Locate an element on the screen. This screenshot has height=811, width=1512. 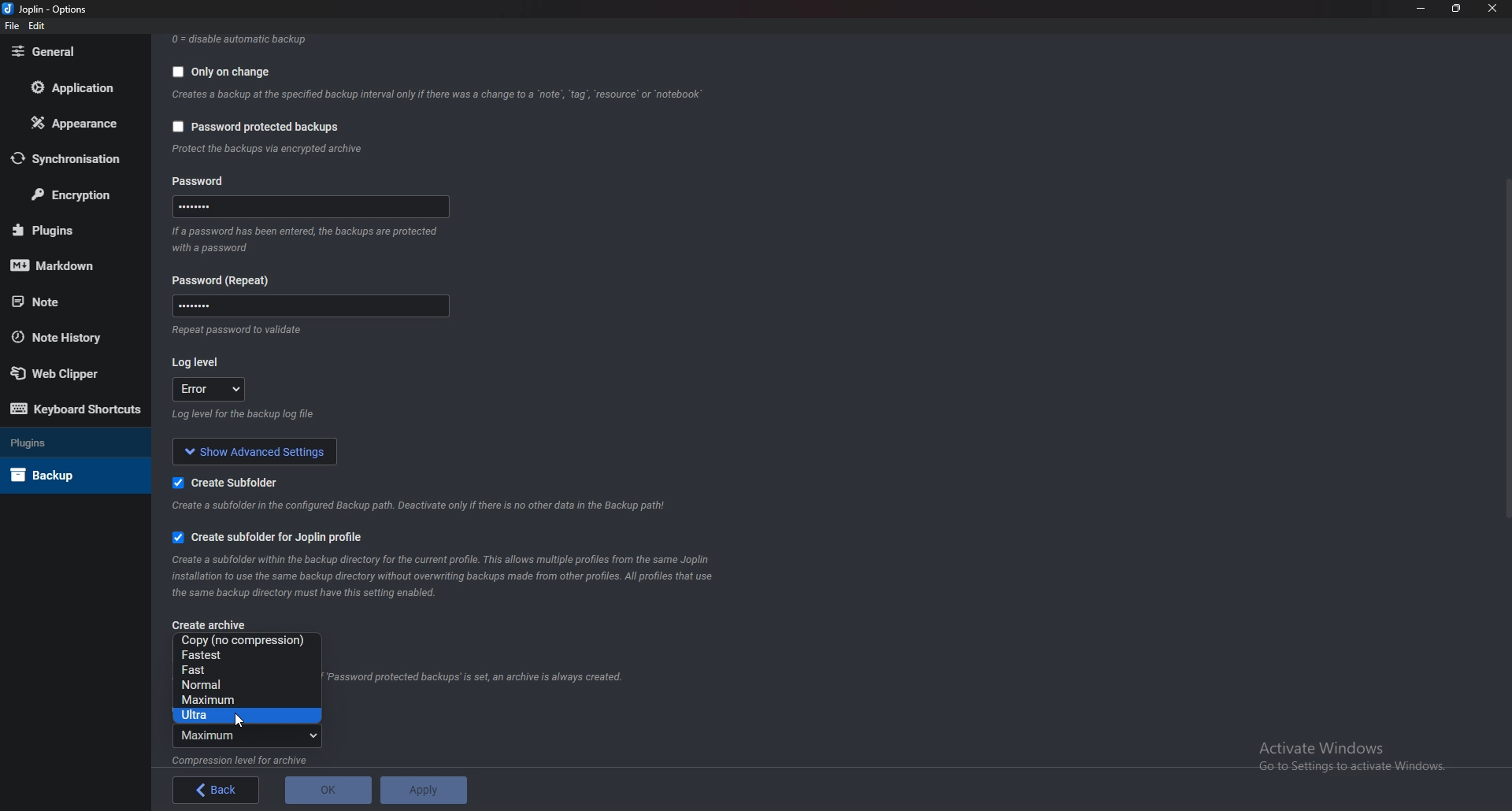
close is located at coordinates (1491, 9).